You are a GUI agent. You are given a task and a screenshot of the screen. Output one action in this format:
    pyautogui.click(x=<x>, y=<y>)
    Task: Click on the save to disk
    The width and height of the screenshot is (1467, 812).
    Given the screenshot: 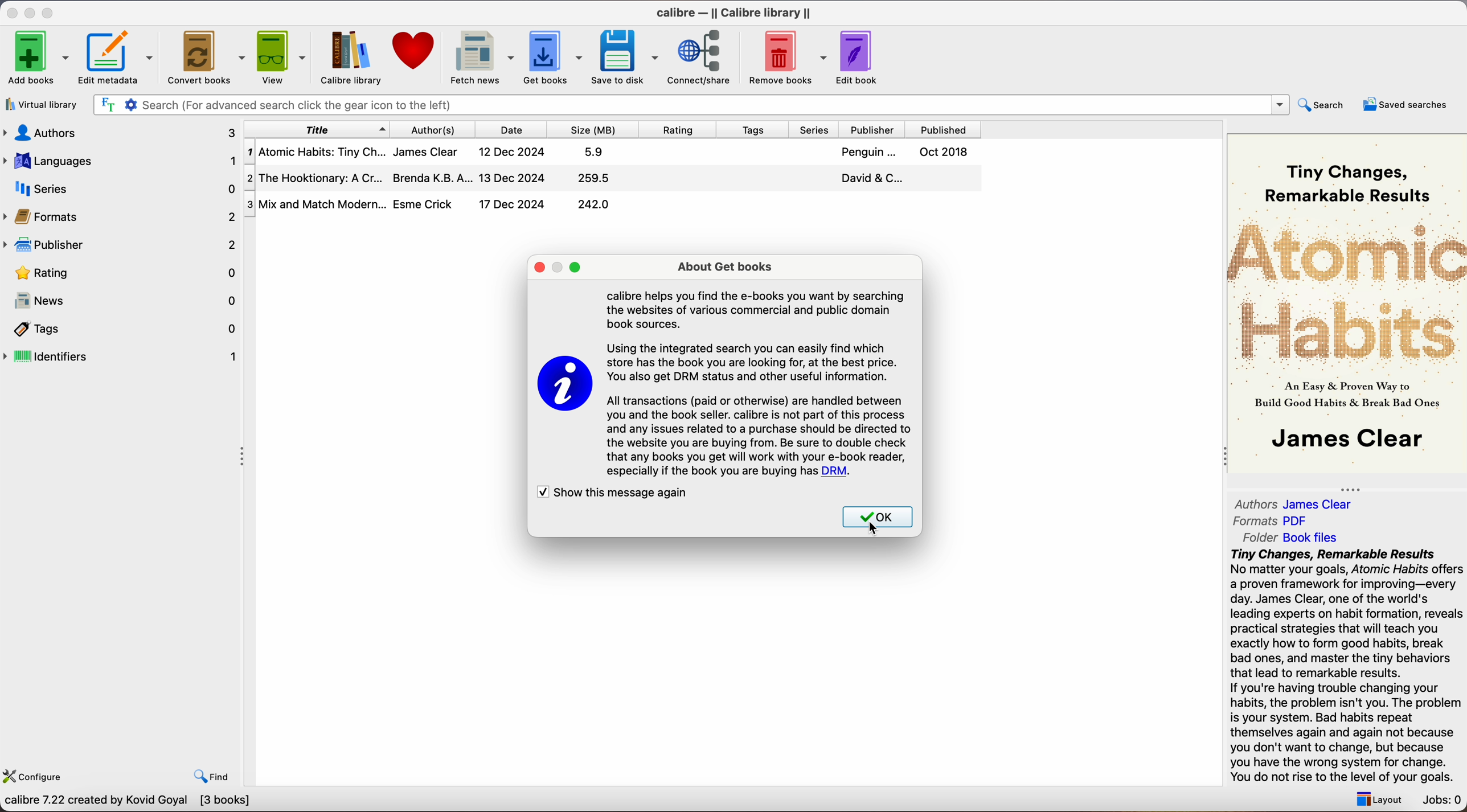 What is the action you would take?
    pyautogui.click(x=625, y=58)
    